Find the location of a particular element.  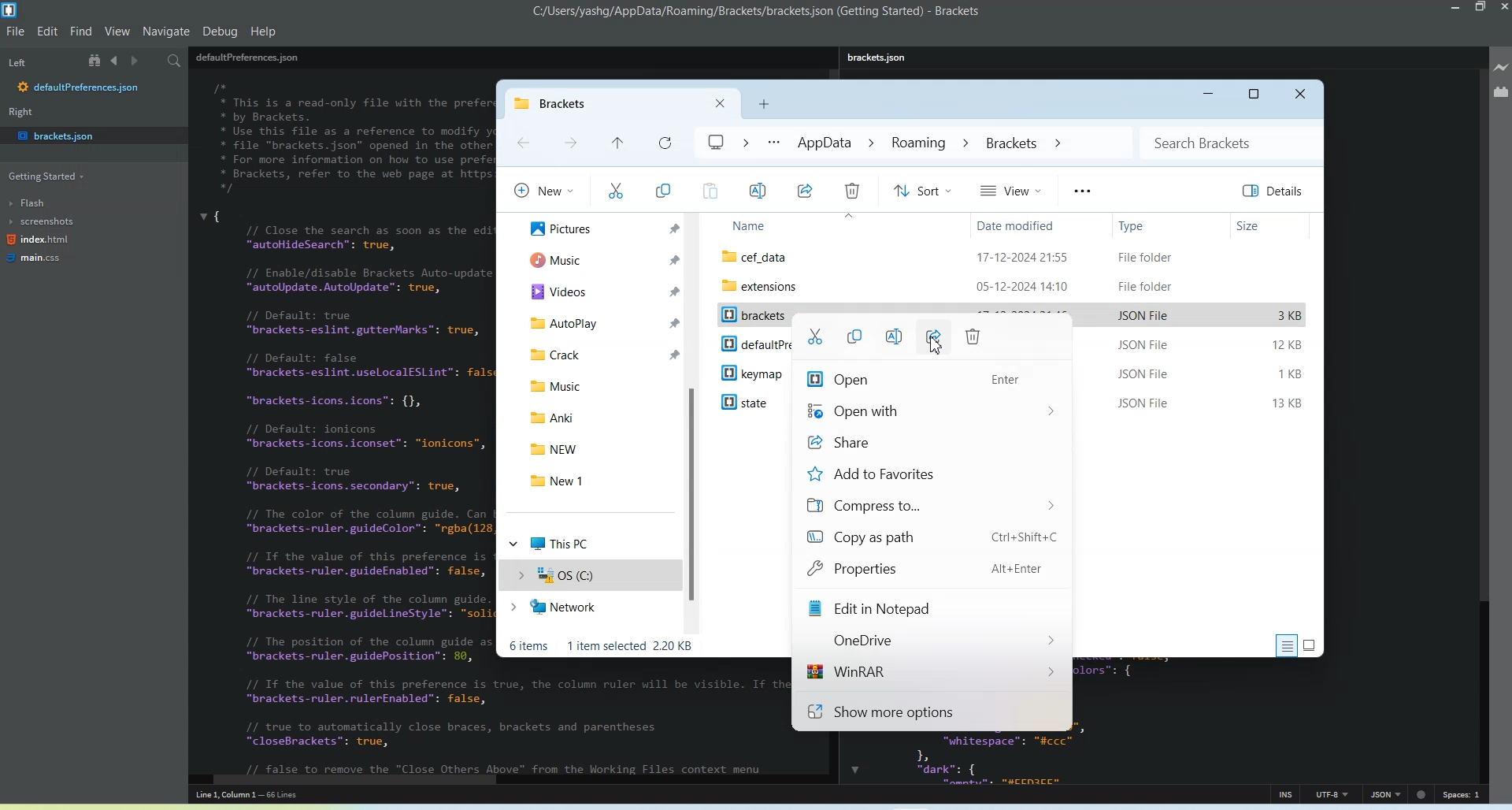

defaultP is located at coordinates (750, 344).